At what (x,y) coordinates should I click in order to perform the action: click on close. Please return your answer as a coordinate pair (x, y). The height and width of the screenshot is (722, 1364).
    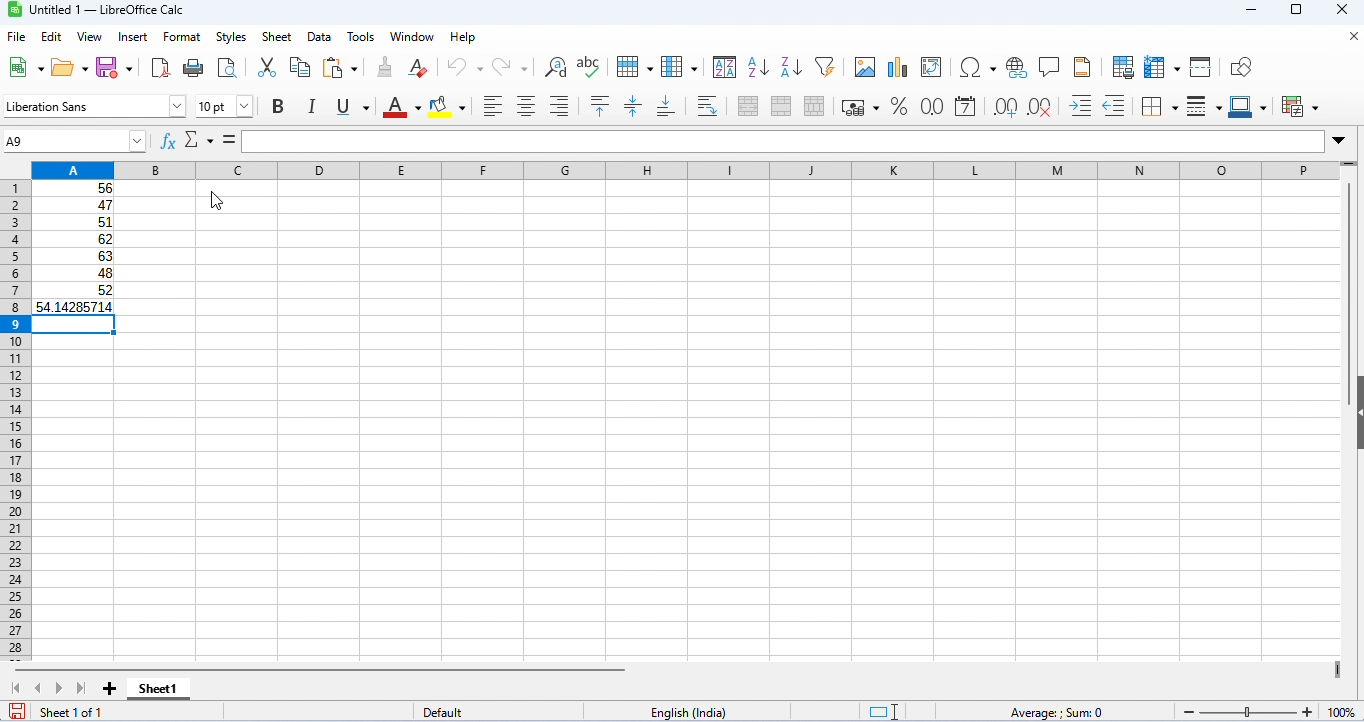
    Looking at the image, I should click on (1344, 11).